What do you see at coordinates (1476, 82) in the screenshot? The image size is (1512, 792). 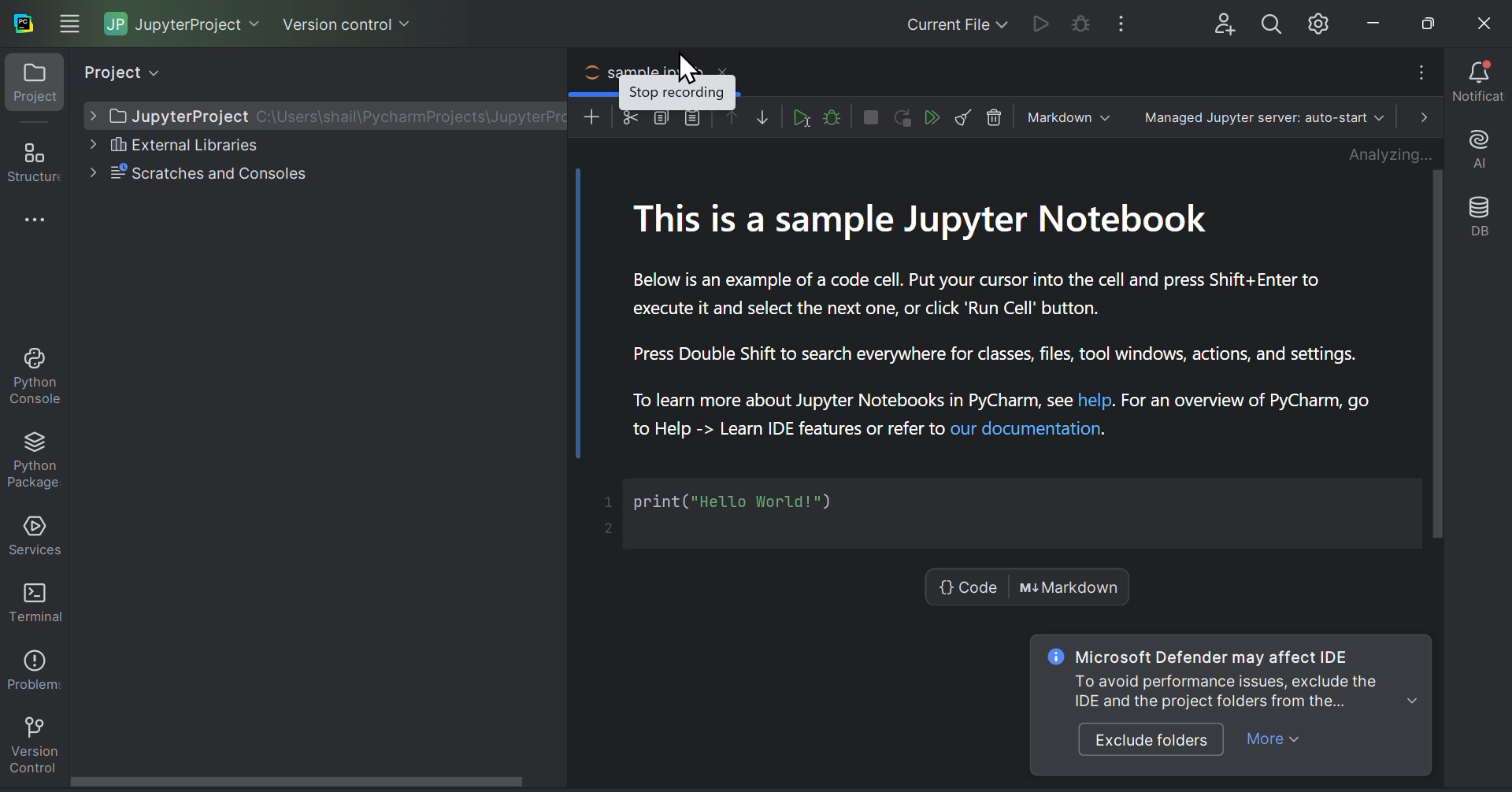 I see `Notifications` at bounding box center [1476, 82].